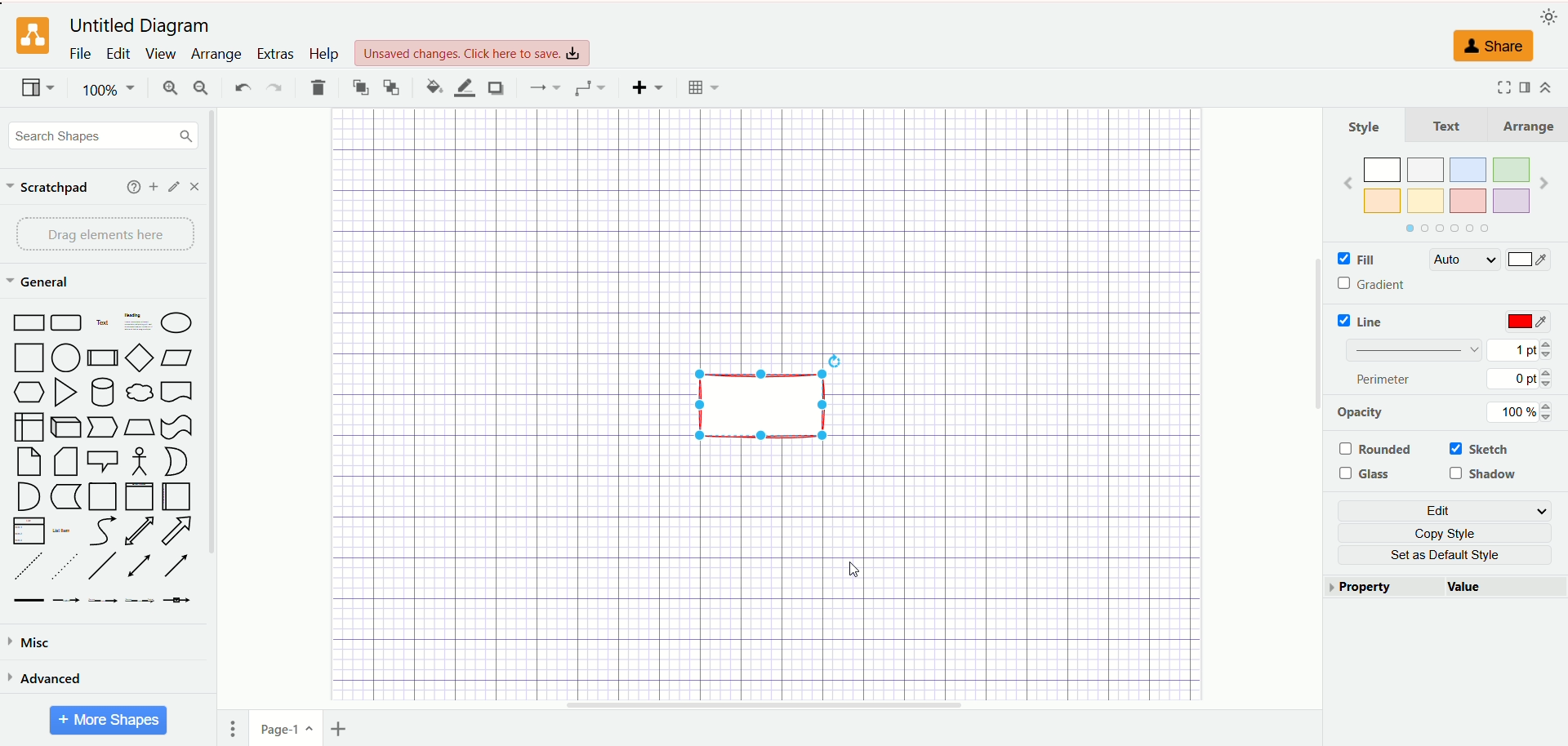  Describe the element at coordinates (107, 721) in the screenshot. I see `more shapes` at that location.